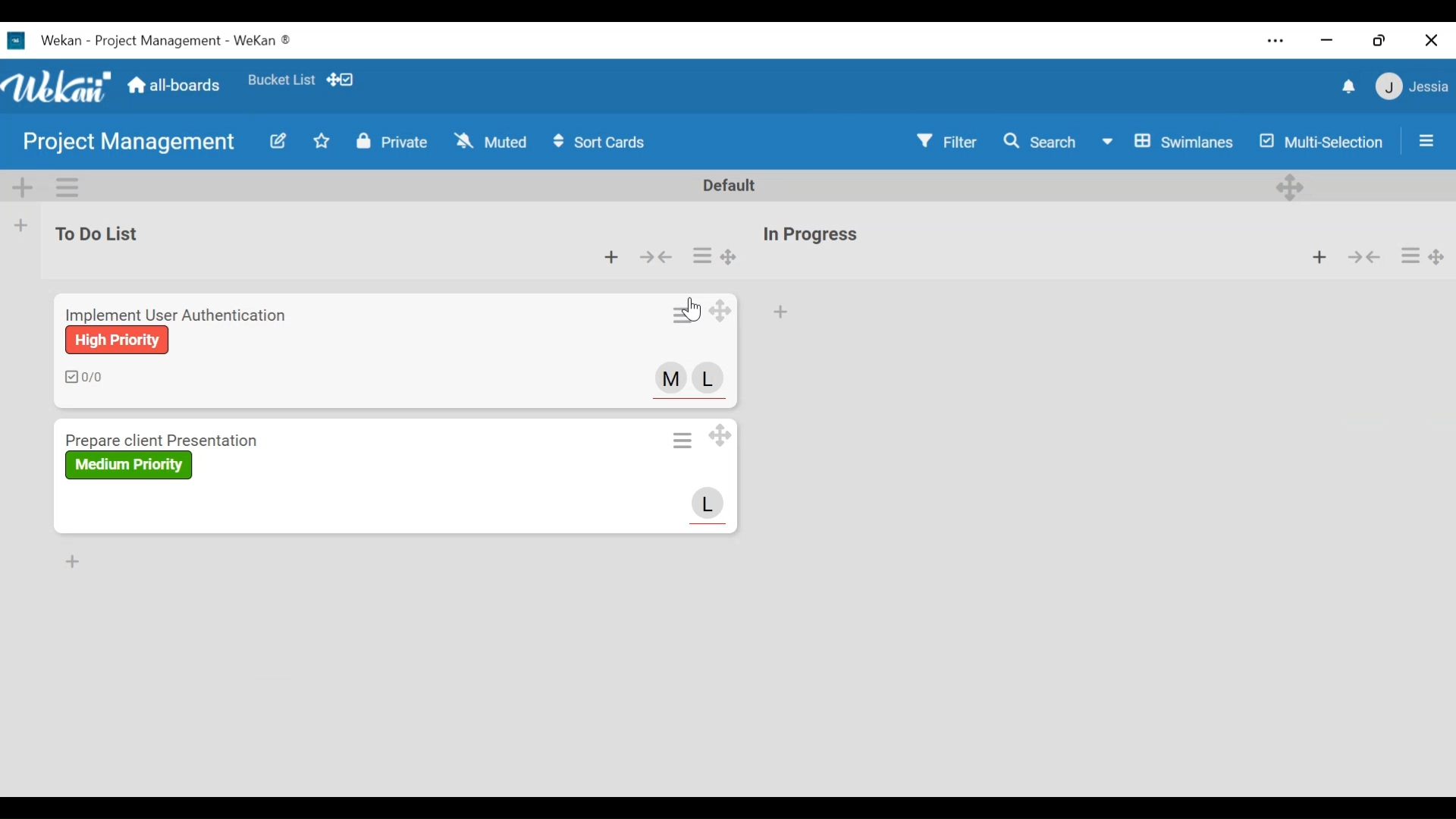 The image size is (1456, 819). What do you see at coordinates (69, 186) in the screenshot?
I see `Swimlane actions` at bounding box center [69, 186].